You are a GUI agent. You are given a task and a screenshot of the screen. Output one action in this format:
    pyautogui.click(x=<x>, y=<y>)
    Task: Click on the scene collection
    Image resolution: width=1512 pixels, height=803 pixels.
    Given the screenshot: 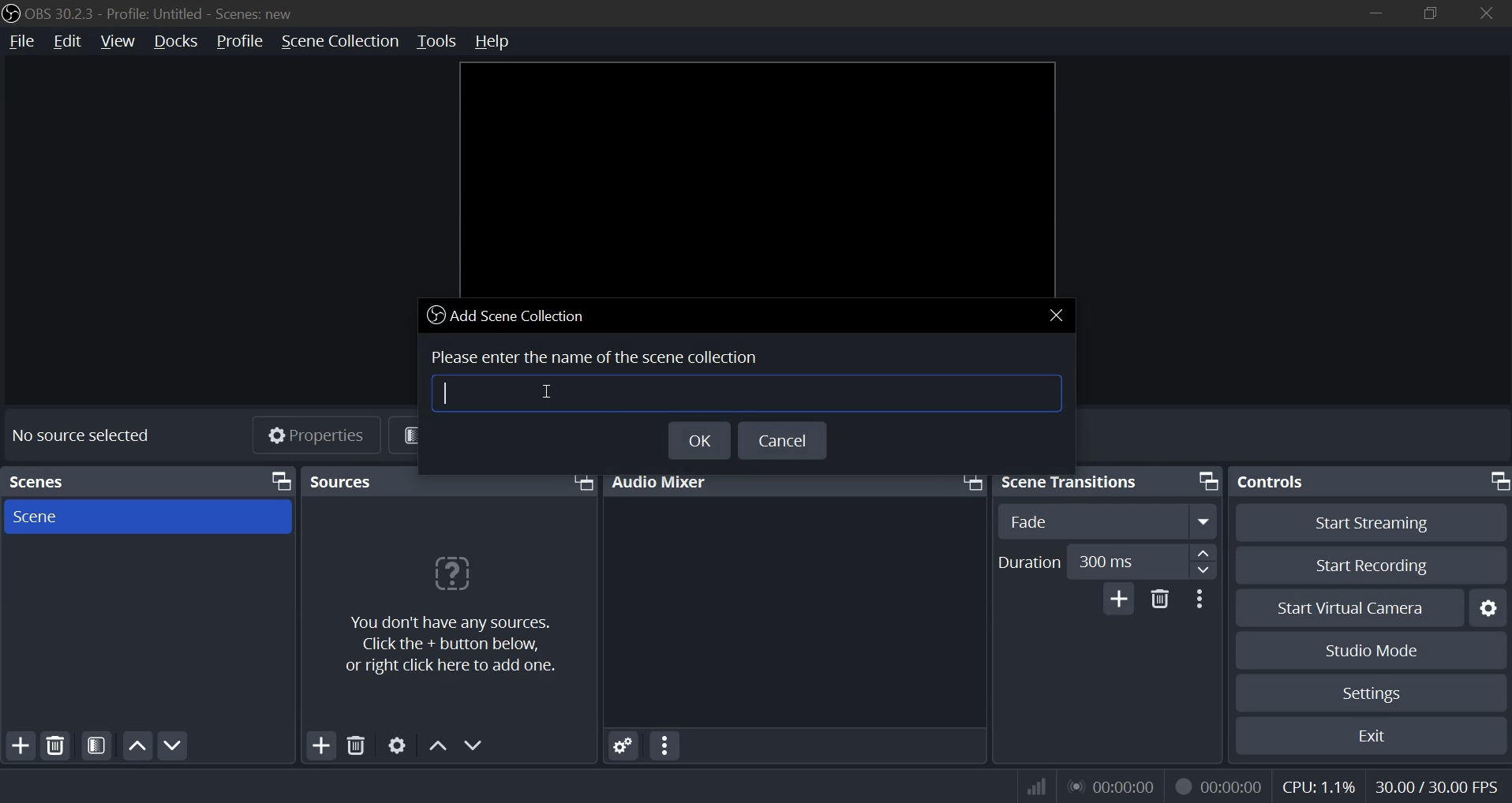 What is the action you would take?
    pyautogui.click(x=339, y=41)
    